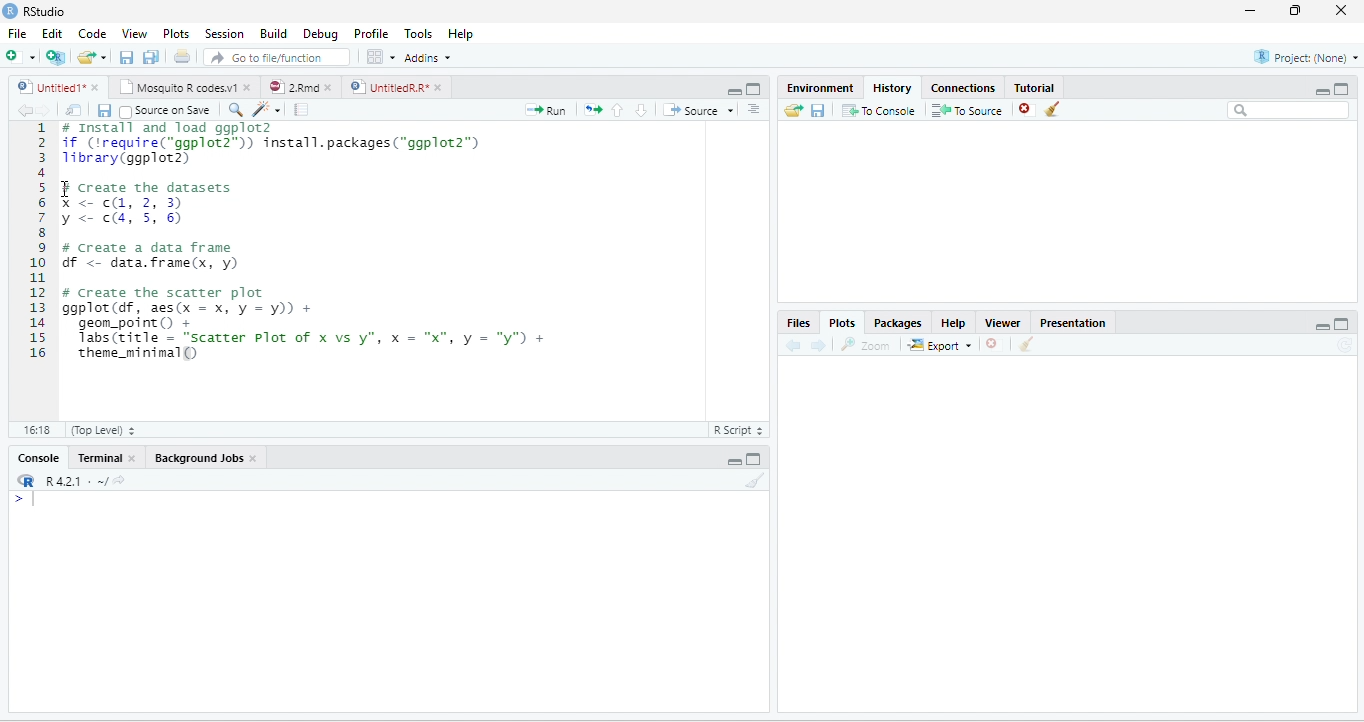  I want to click on restore, so click(1297, 11).